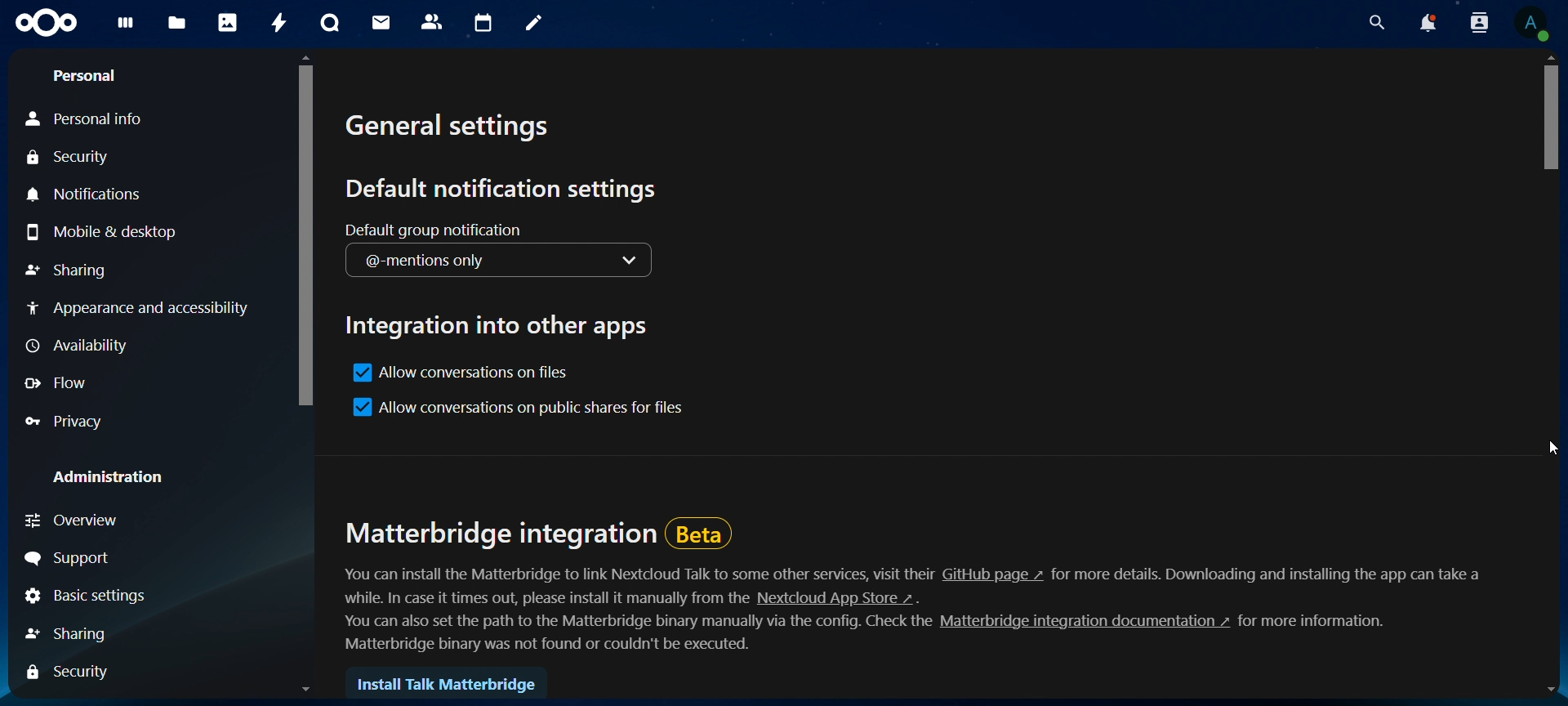 Image resolution: width=1568 pixels, height=706 pixels. I want to click on matterbridge integration beta, so click(550, 535).